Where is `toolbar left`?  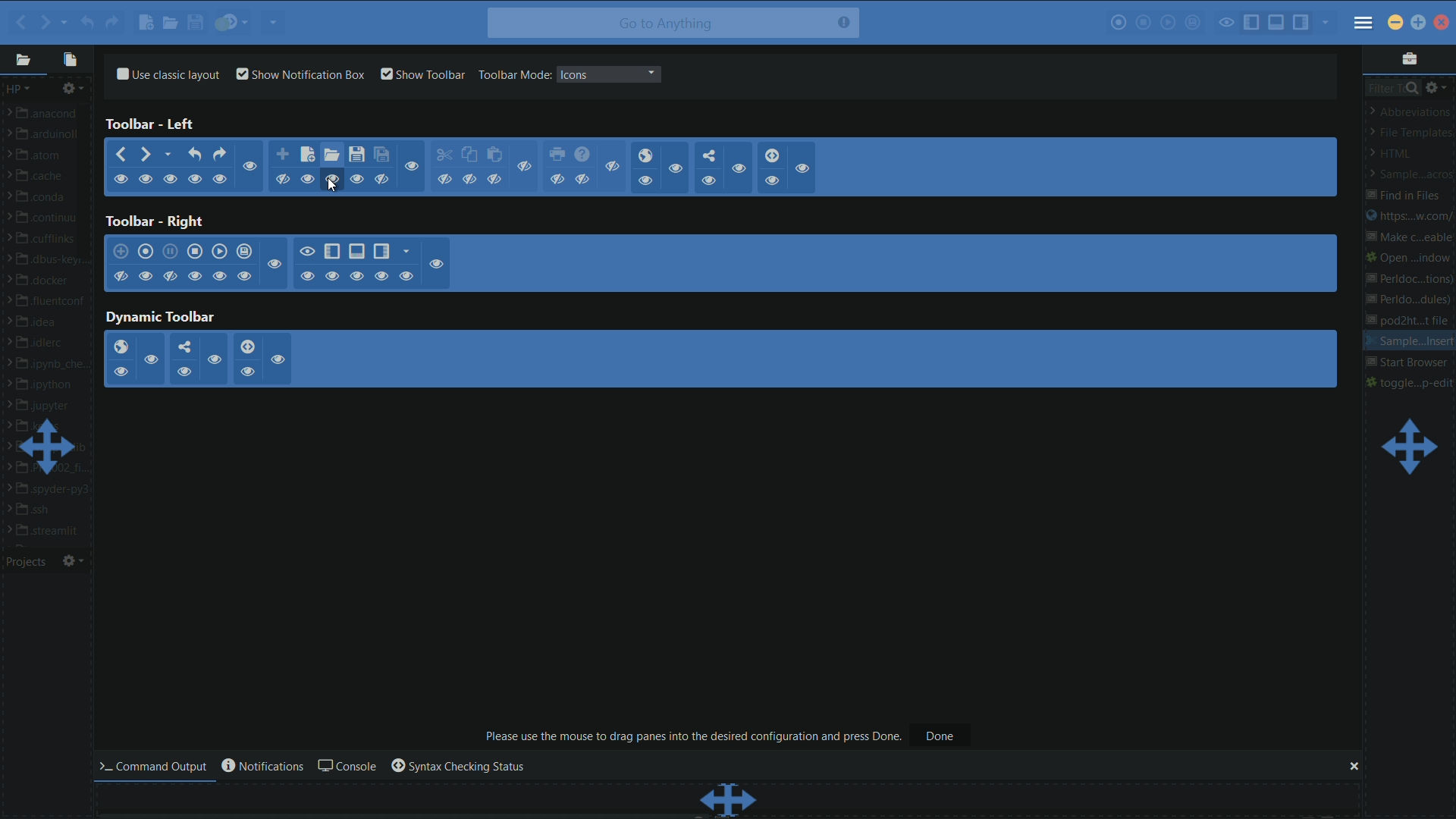 toolbar left is located at coordinates (152, 124).